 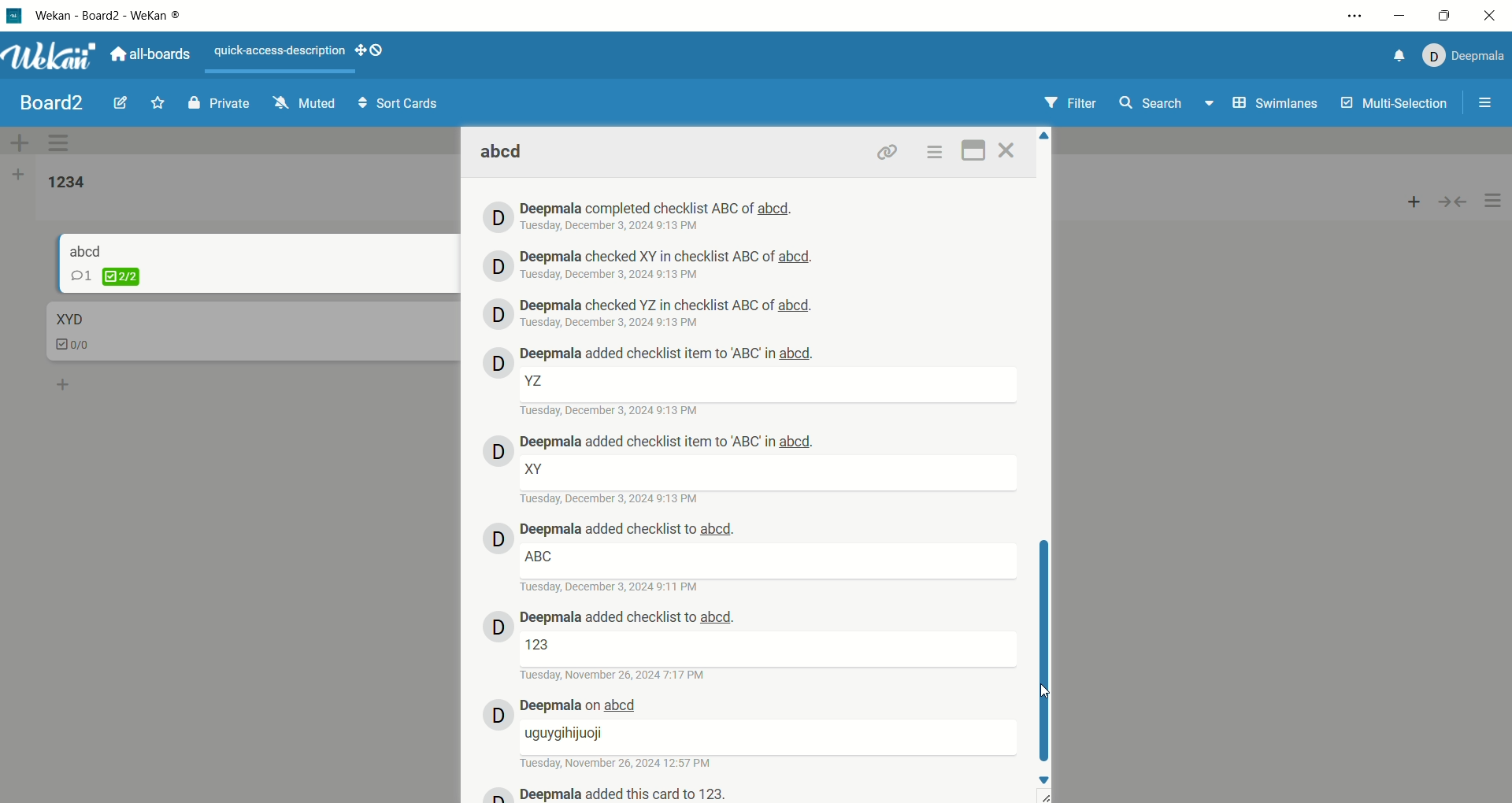 I want to click on Up, so click(x=1045, y=139).